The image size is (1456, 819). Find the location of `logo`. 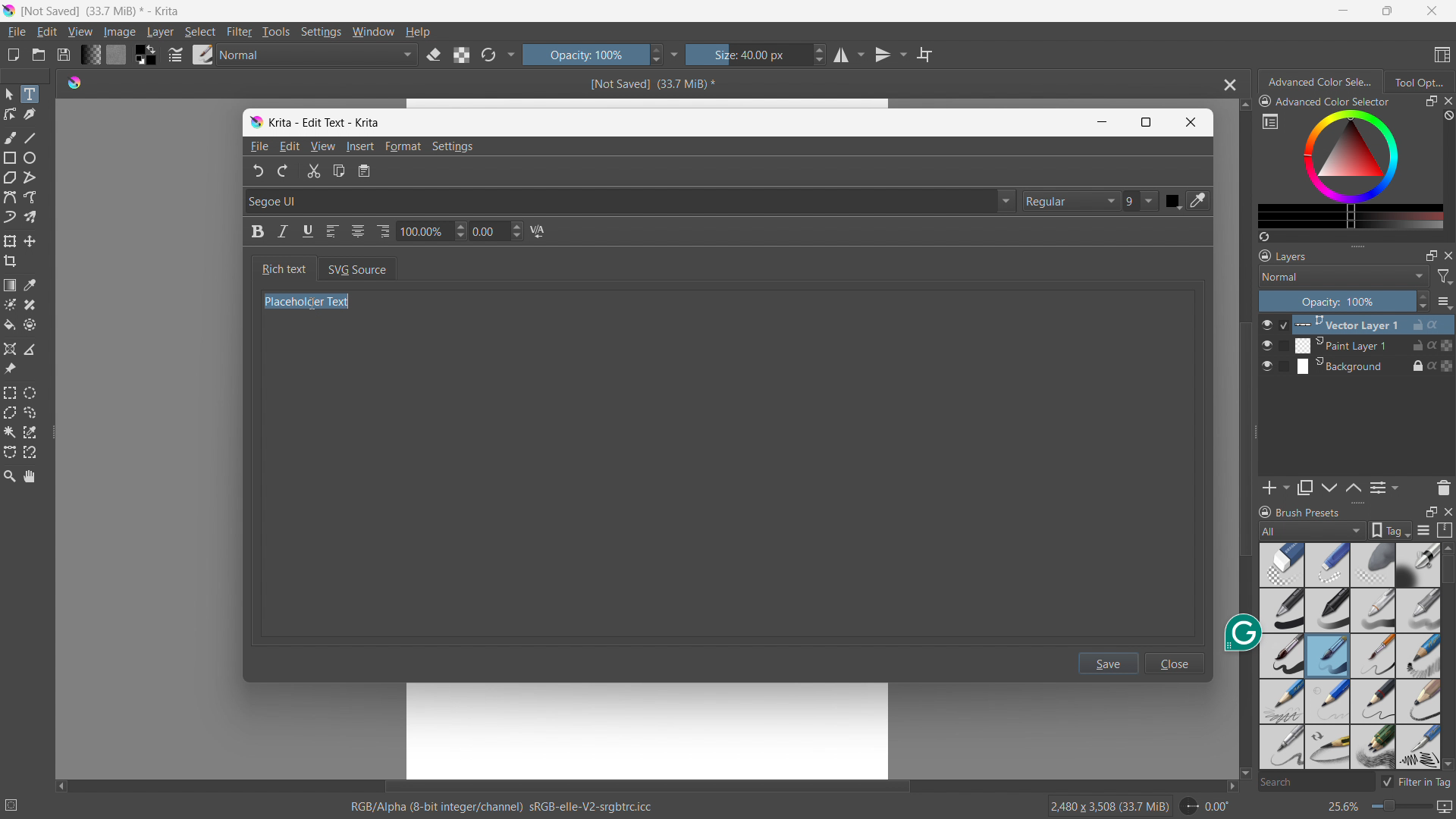

logo is located at coordinates (74, 81).